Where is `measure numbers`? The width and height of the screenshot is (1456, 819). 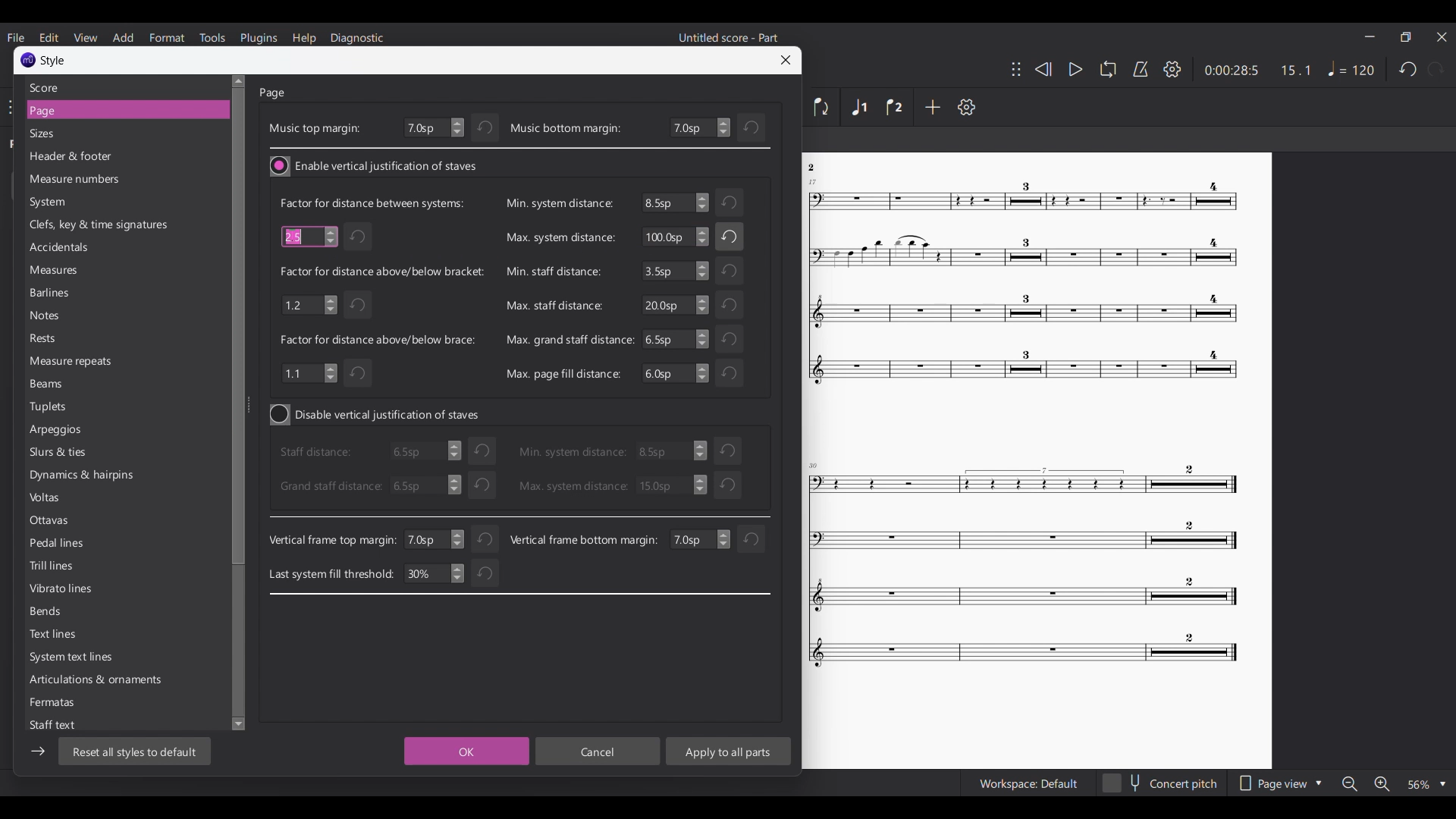 measure numbers is located at coordinates (112, 180).